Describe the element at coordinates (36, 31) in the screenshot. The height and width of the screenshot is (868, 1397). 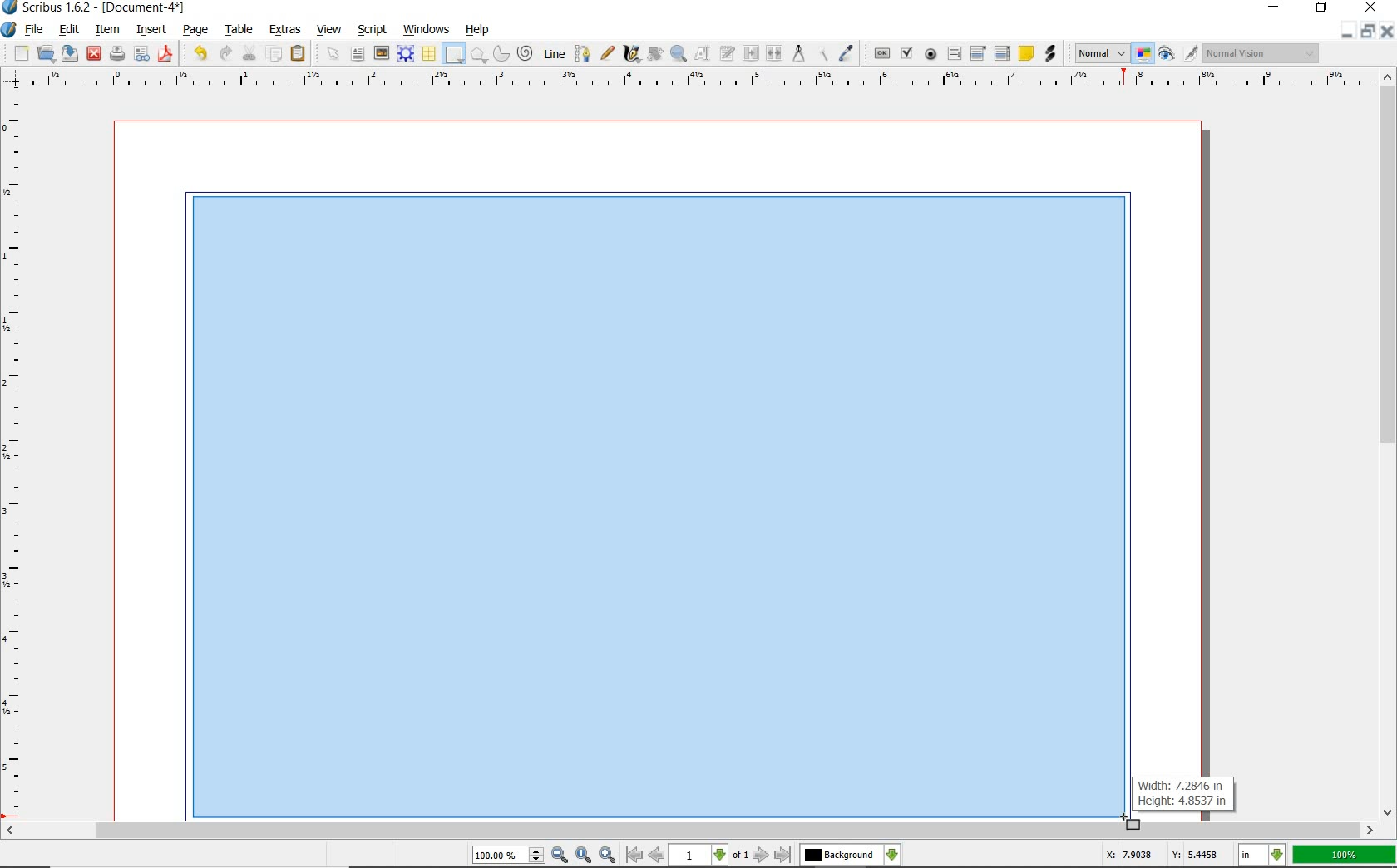
I see `file` at that location.